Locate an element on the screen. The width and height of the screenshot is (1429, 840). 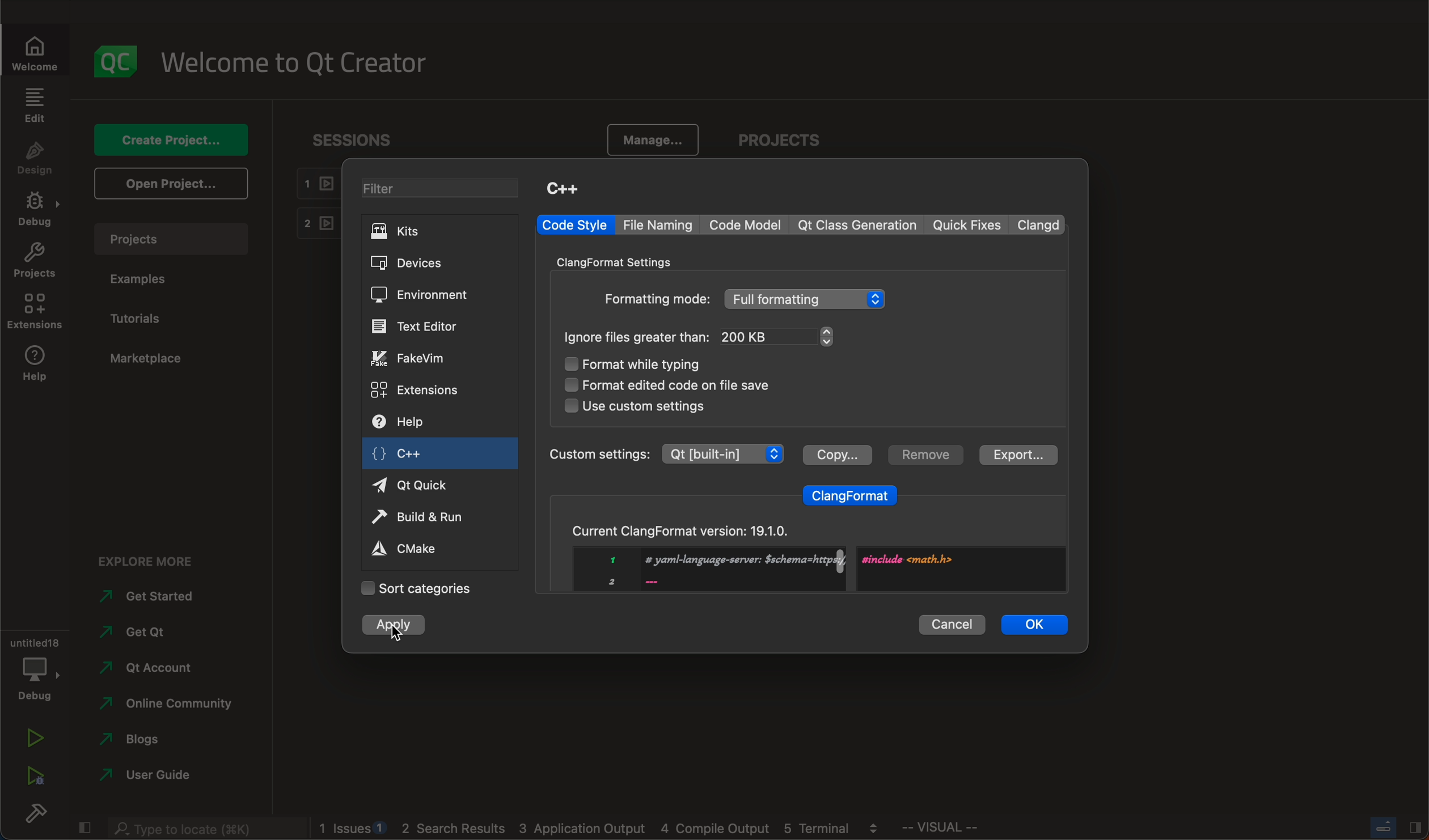
logo is located at coordinates (117, 61).